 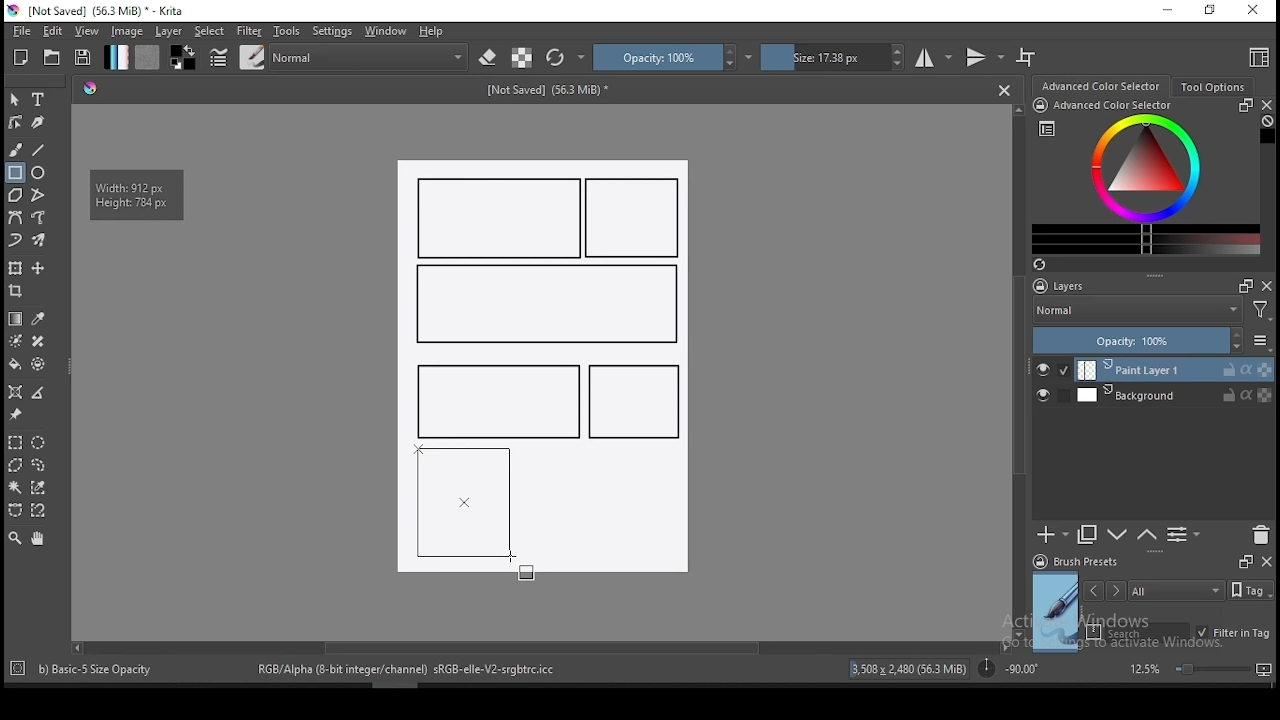 What do you see at coordinates (435, 32) in the screenshot?
I see `help` at bounding box center [435, 32].